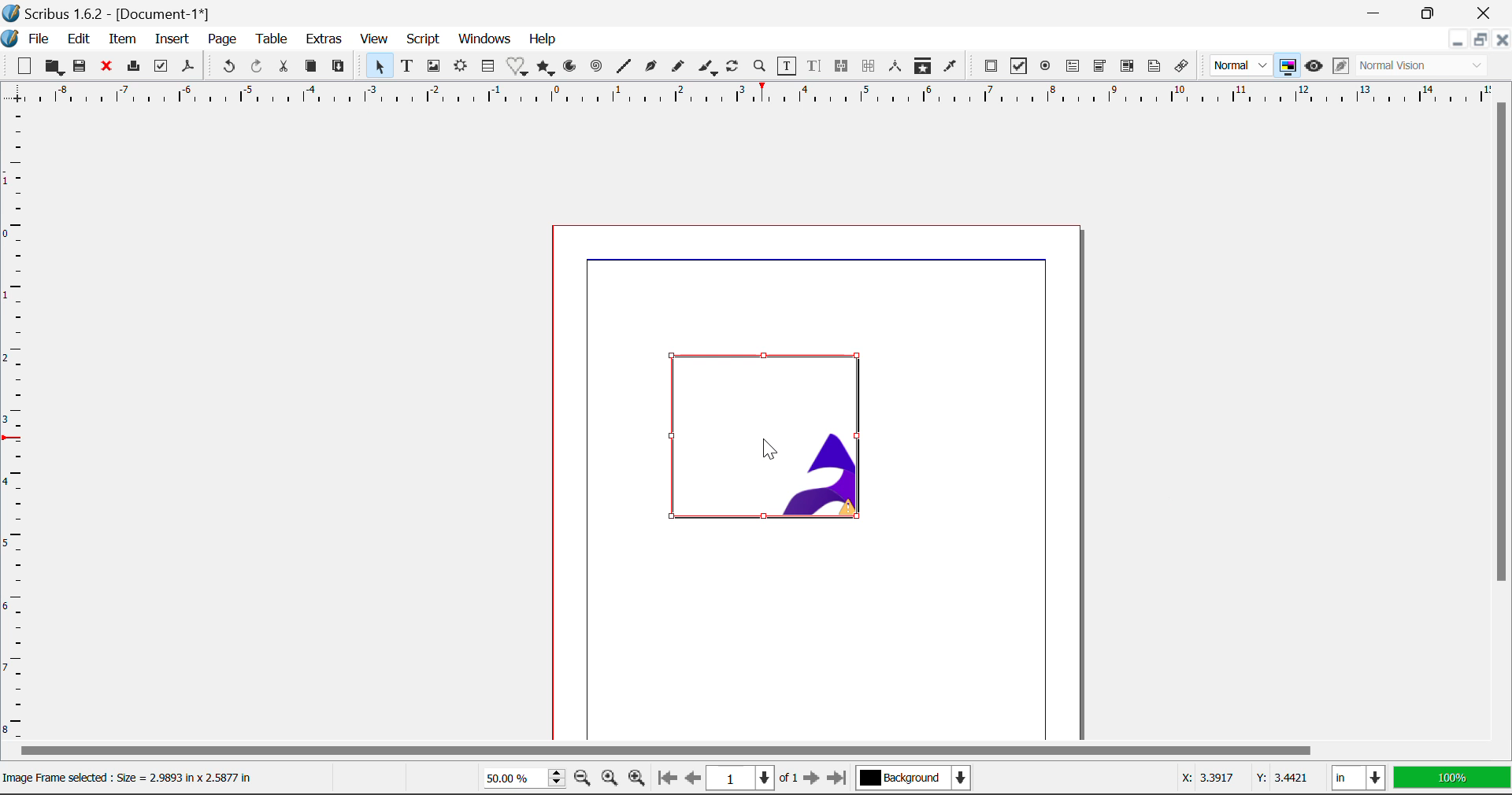  I want to click on Page Navigation, so click(747, 778).